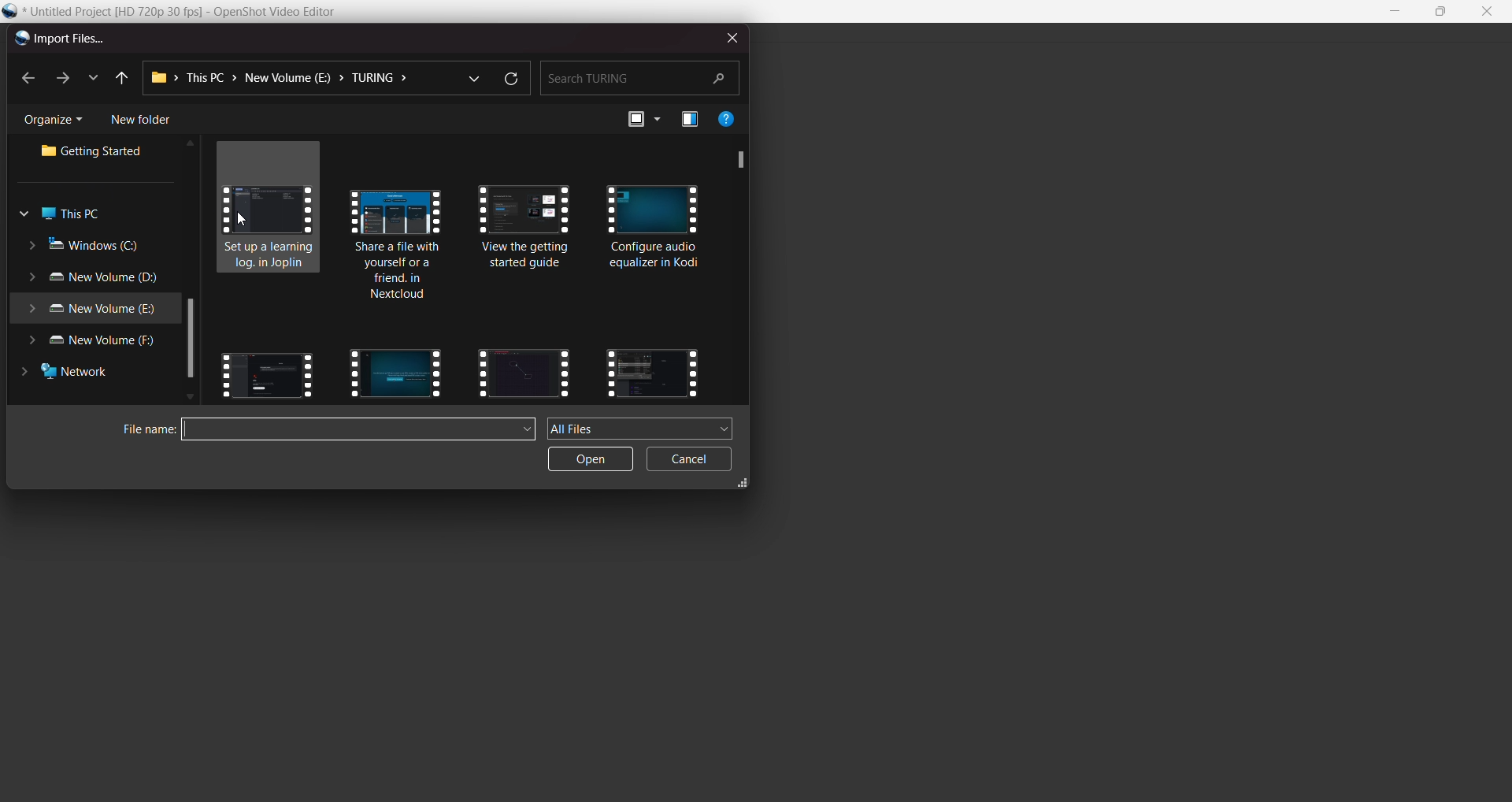 Image resolution: width=1512 pixels, height=802 pixels. What do you see at coordinates (1443, 13) in the screenshot?
I see `maximise` at bounding box center [1443, 13].